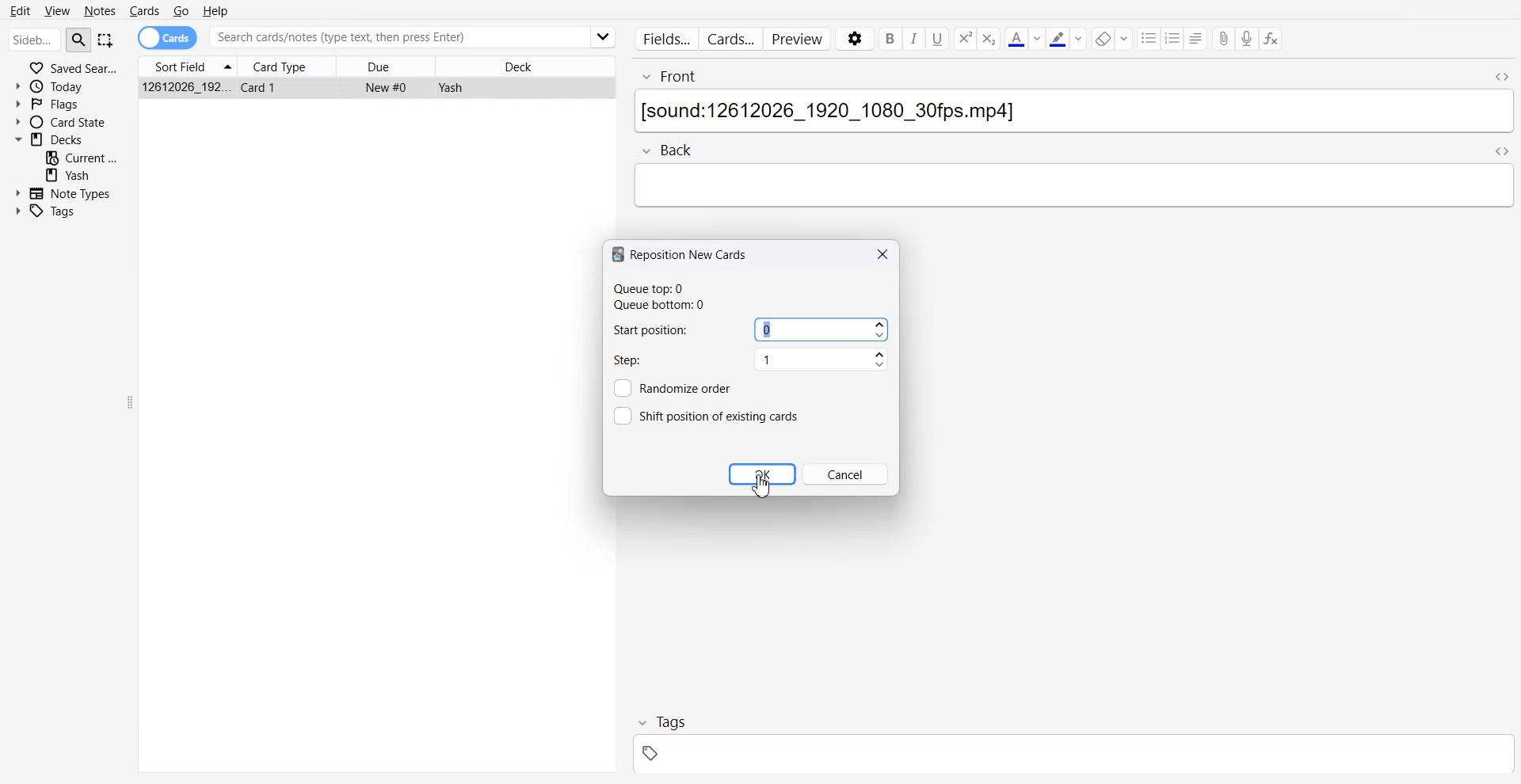  I want to click on Yash, so click(82, 175).